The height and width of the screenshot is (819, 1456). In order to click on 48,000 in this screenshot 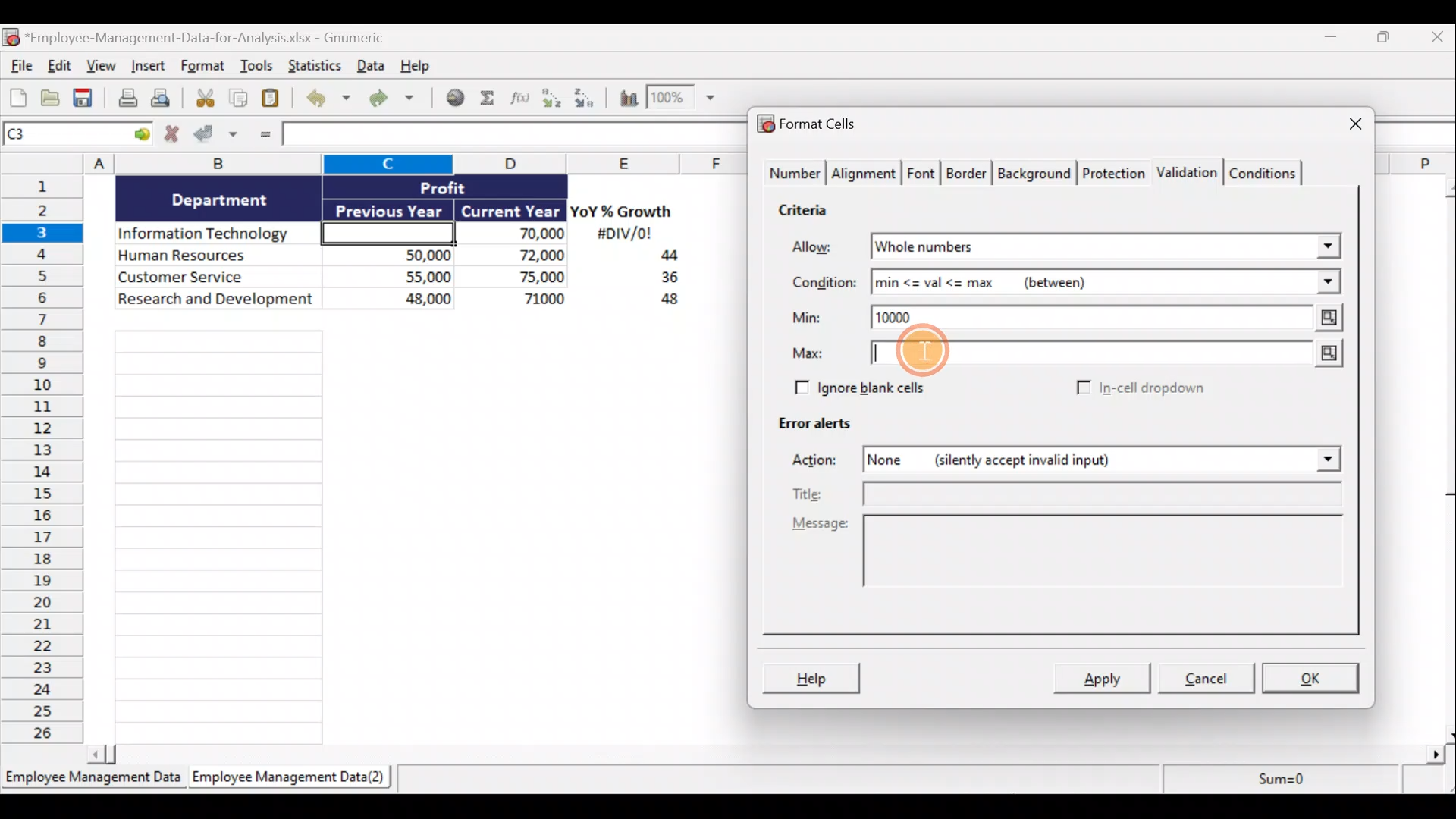, I will do `click(397, 301)`.